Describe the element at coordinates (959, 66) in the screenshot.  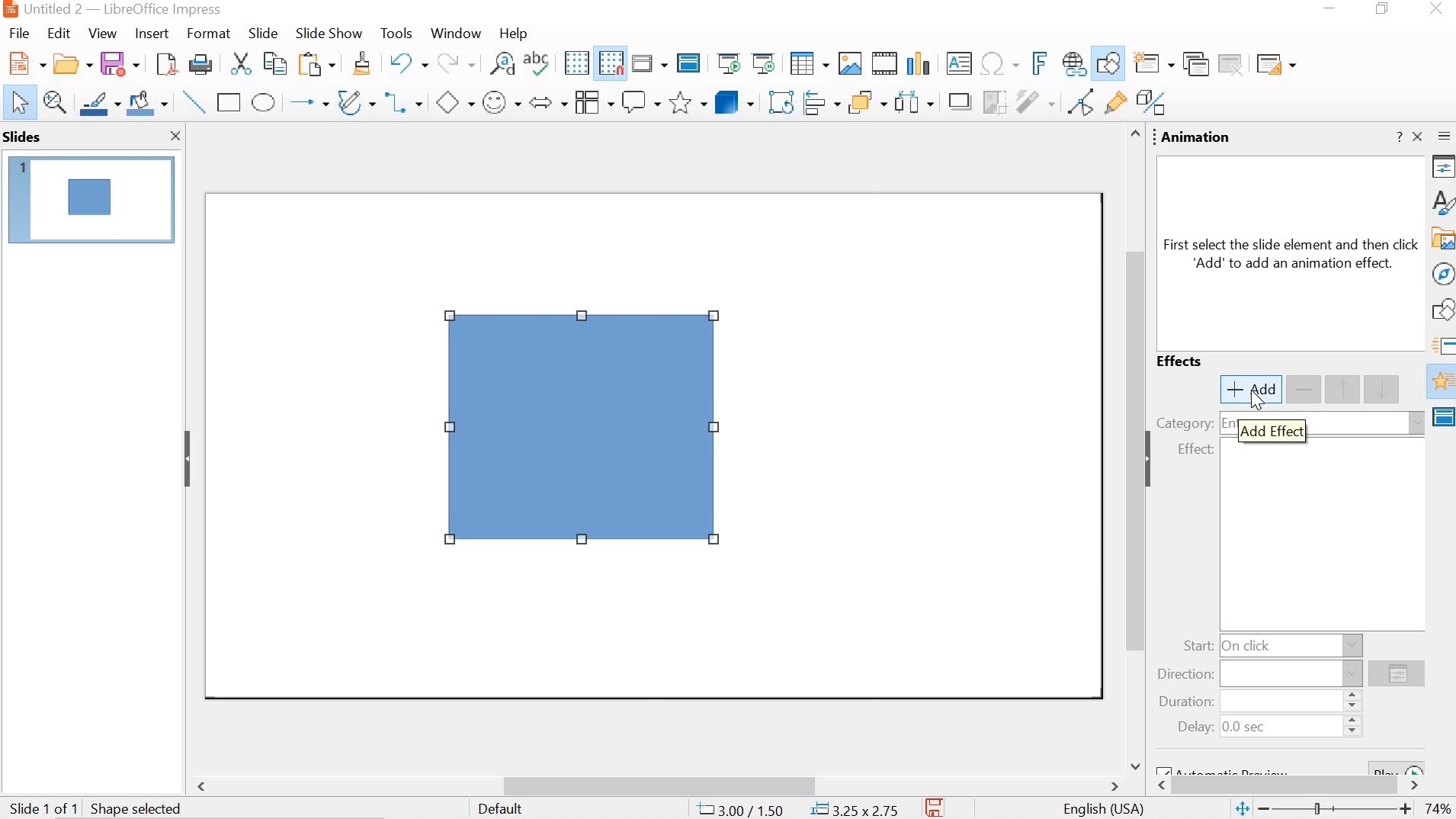
I see `insert text box` at that location.